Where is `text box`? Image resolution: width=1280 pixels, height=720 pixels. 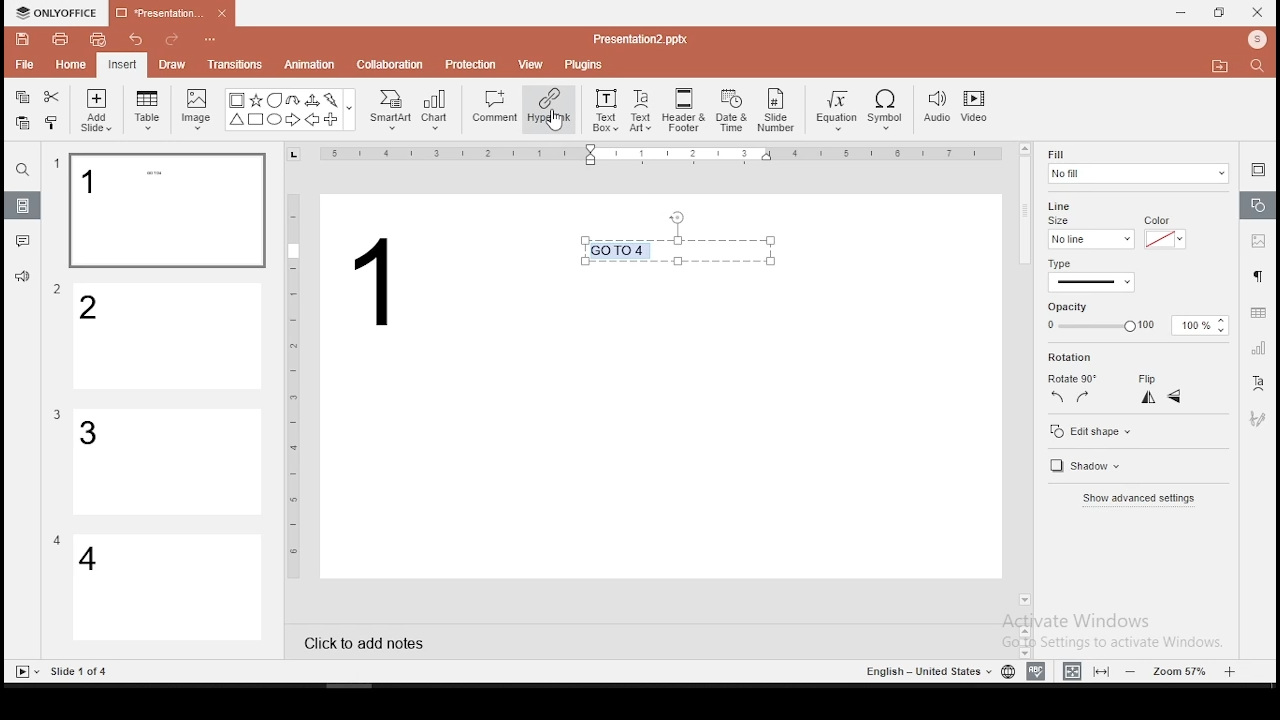
text box is located at coordinates (684, 249).